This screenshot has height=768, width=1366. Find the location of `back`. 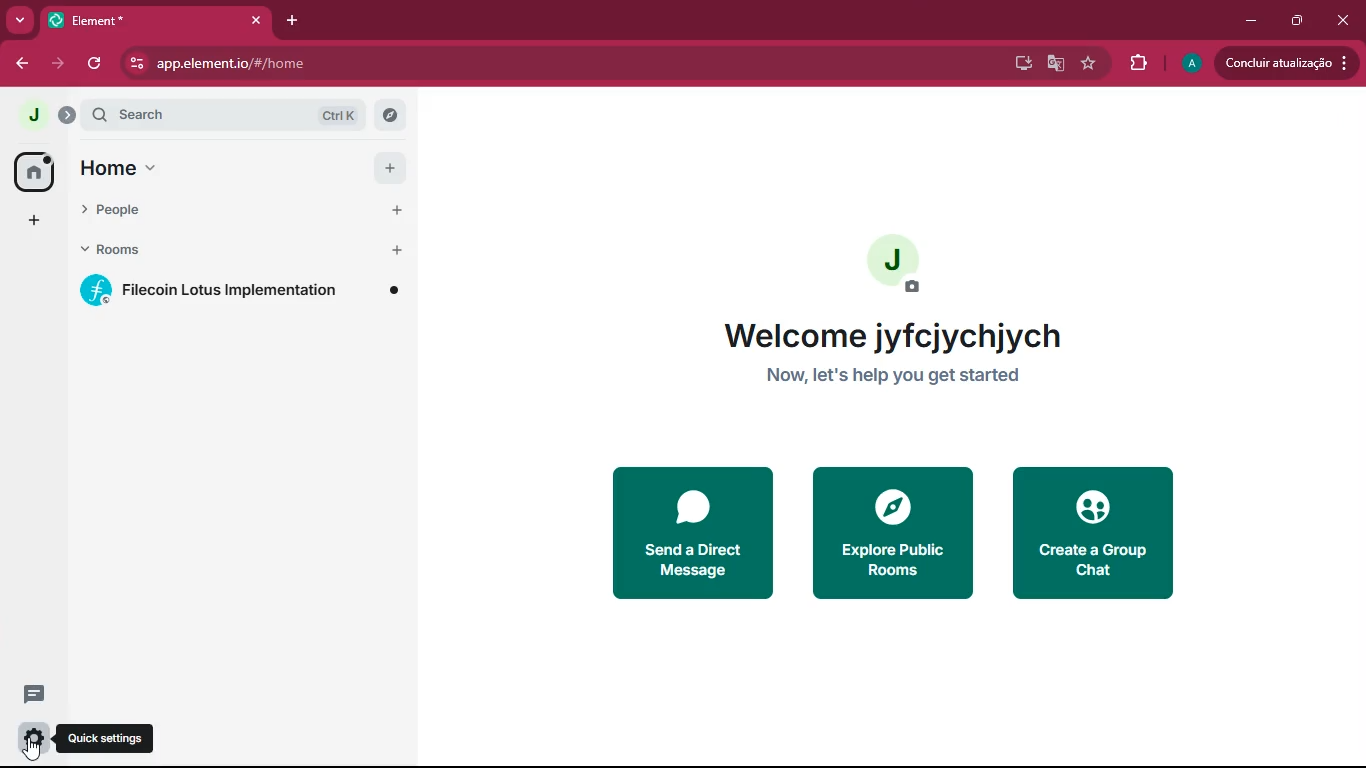

back is located at coordinates (19, 63).